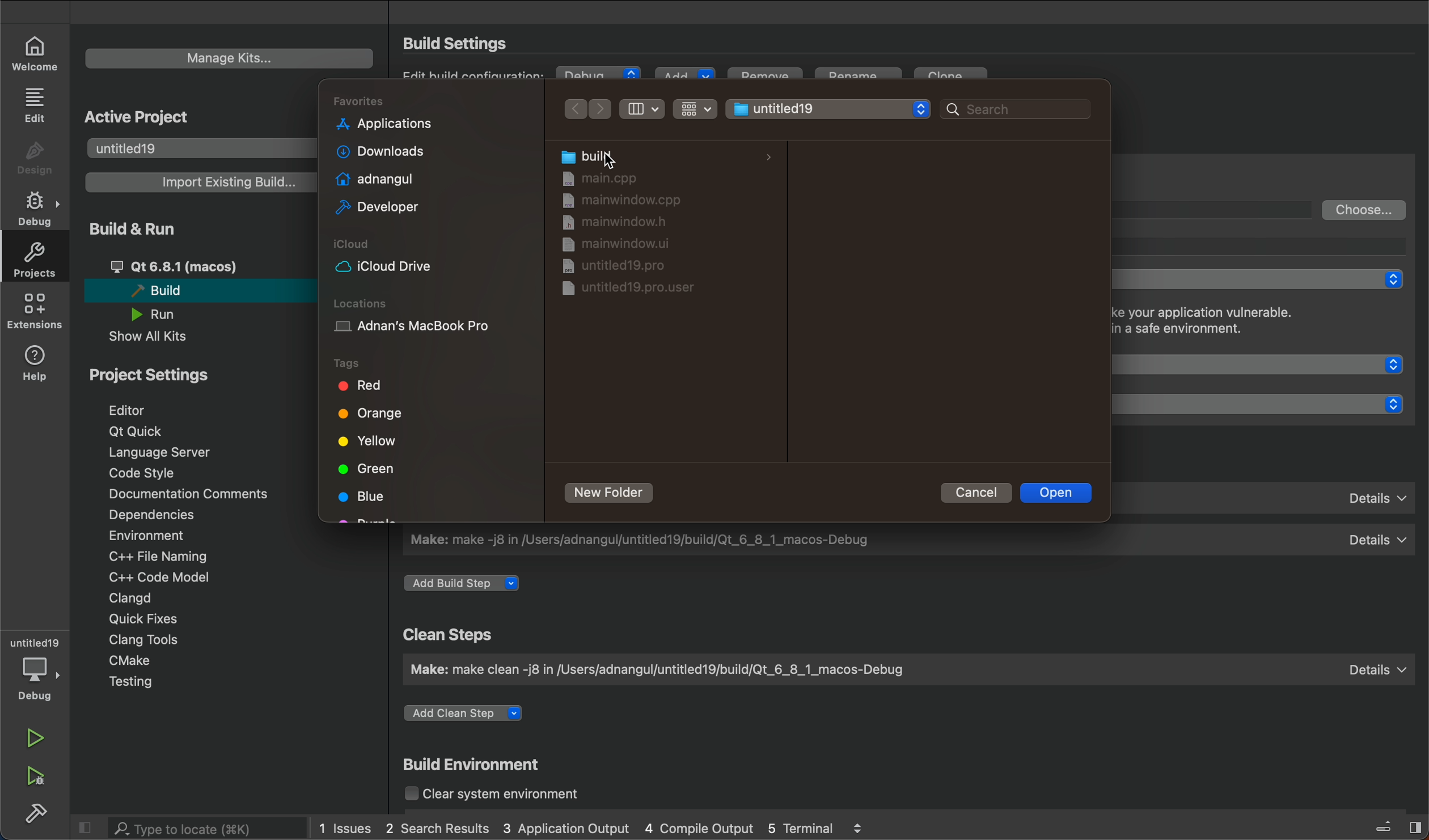 The image size is (1429, 840). Describe the element at coordinates (35, 642) in the screenshot. I see `untitled` at that location.